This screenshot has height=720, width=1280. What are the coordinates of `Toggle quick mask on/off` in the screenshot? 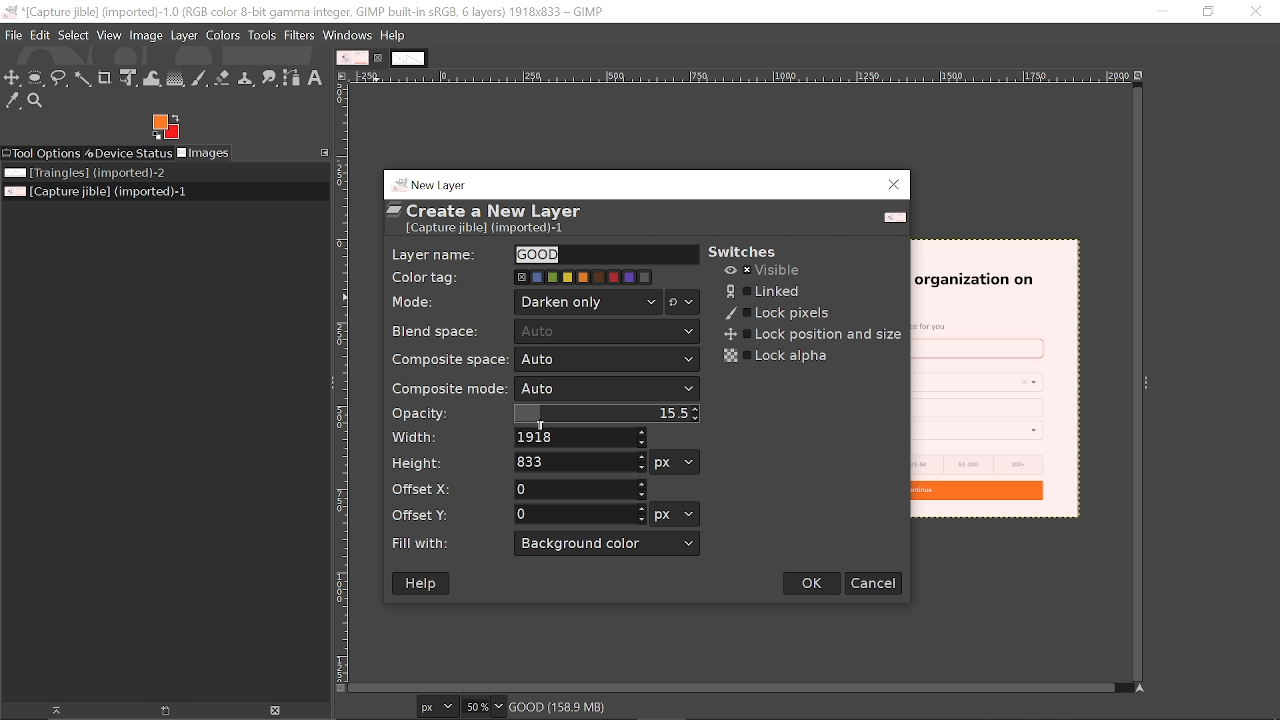 It's located at (339, 690).